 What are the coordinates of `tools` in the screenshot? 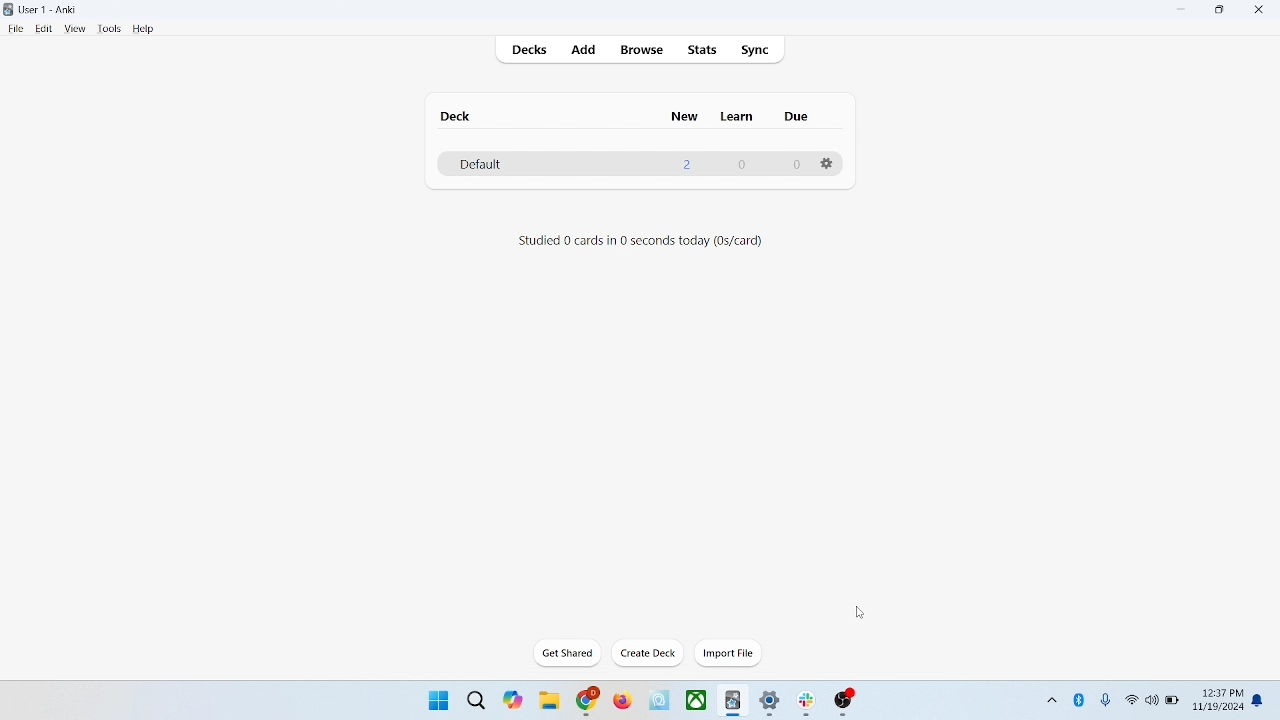 It's located at (108, 29).